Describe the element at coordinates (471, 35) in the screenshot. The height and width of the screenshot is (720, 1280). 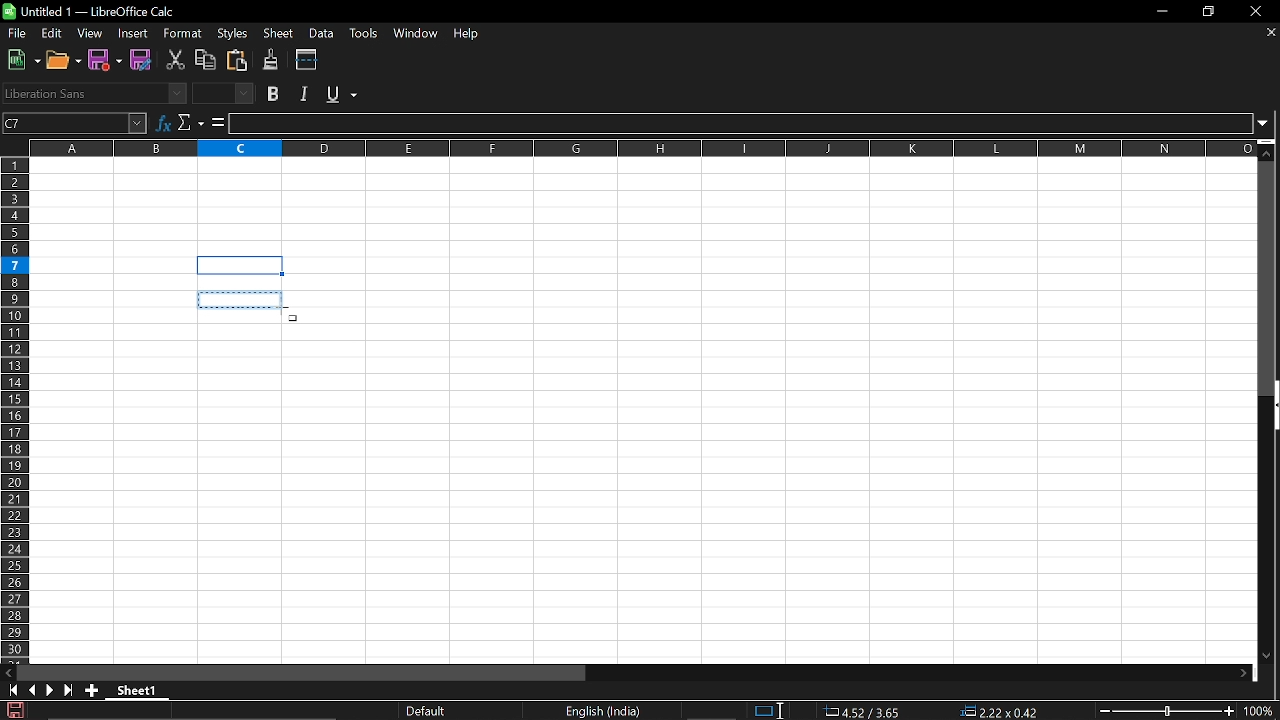
I see `HElp` at that location.